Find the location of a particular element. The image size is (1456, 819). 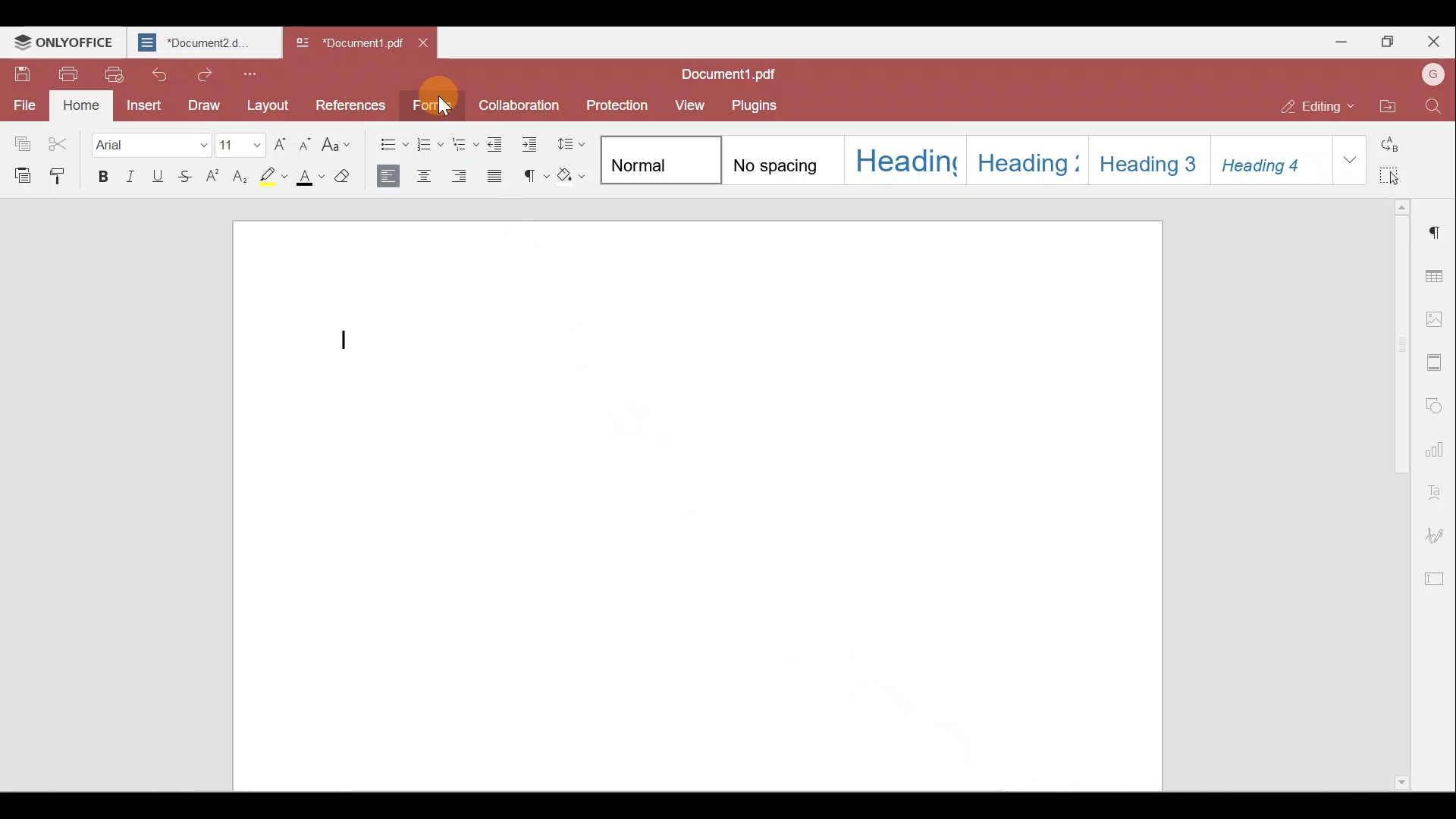

Decrease font size is located at coordinates (306, 146).